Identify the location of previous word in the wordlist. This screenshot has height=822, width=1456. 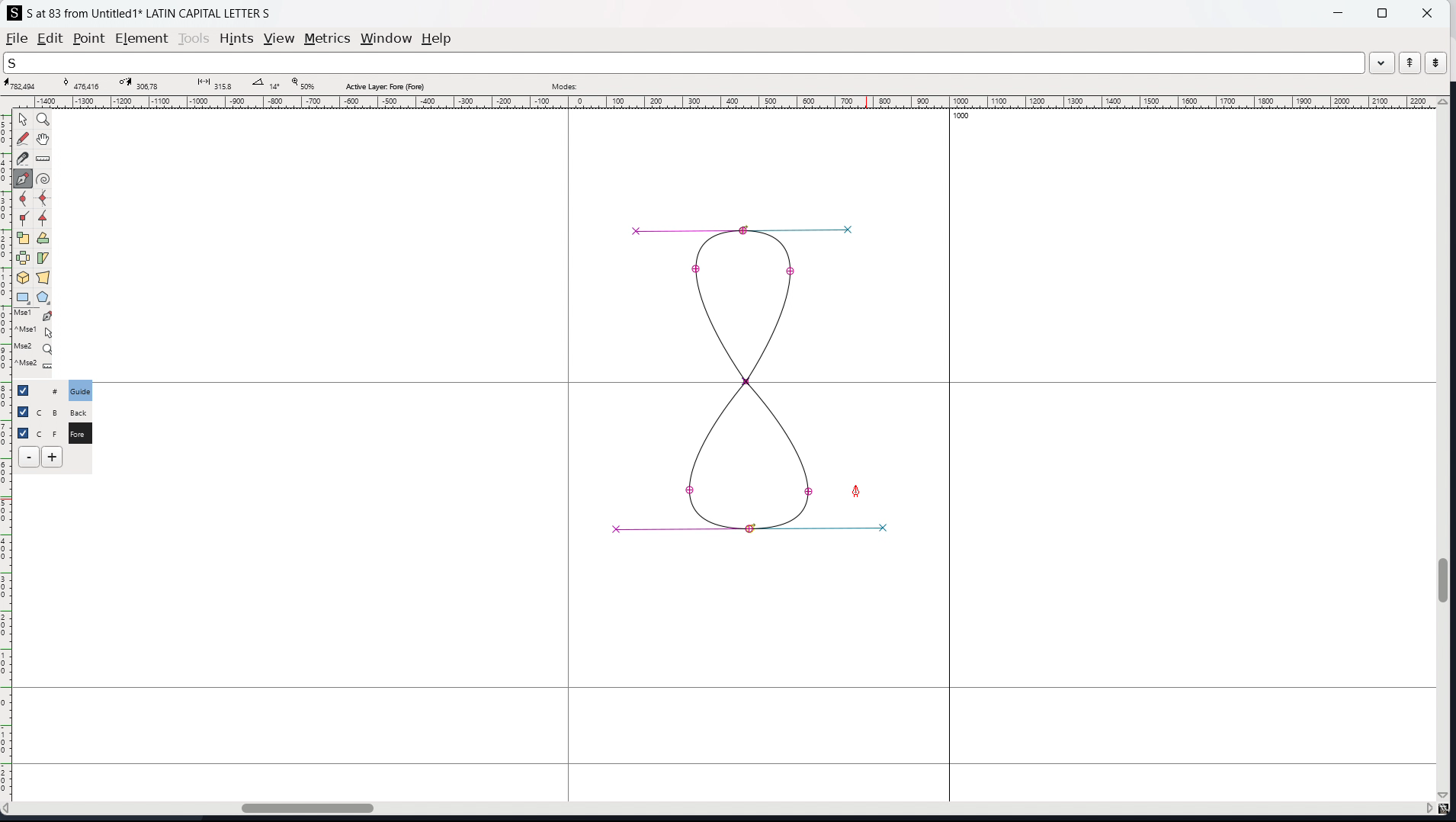
(1410, 63).